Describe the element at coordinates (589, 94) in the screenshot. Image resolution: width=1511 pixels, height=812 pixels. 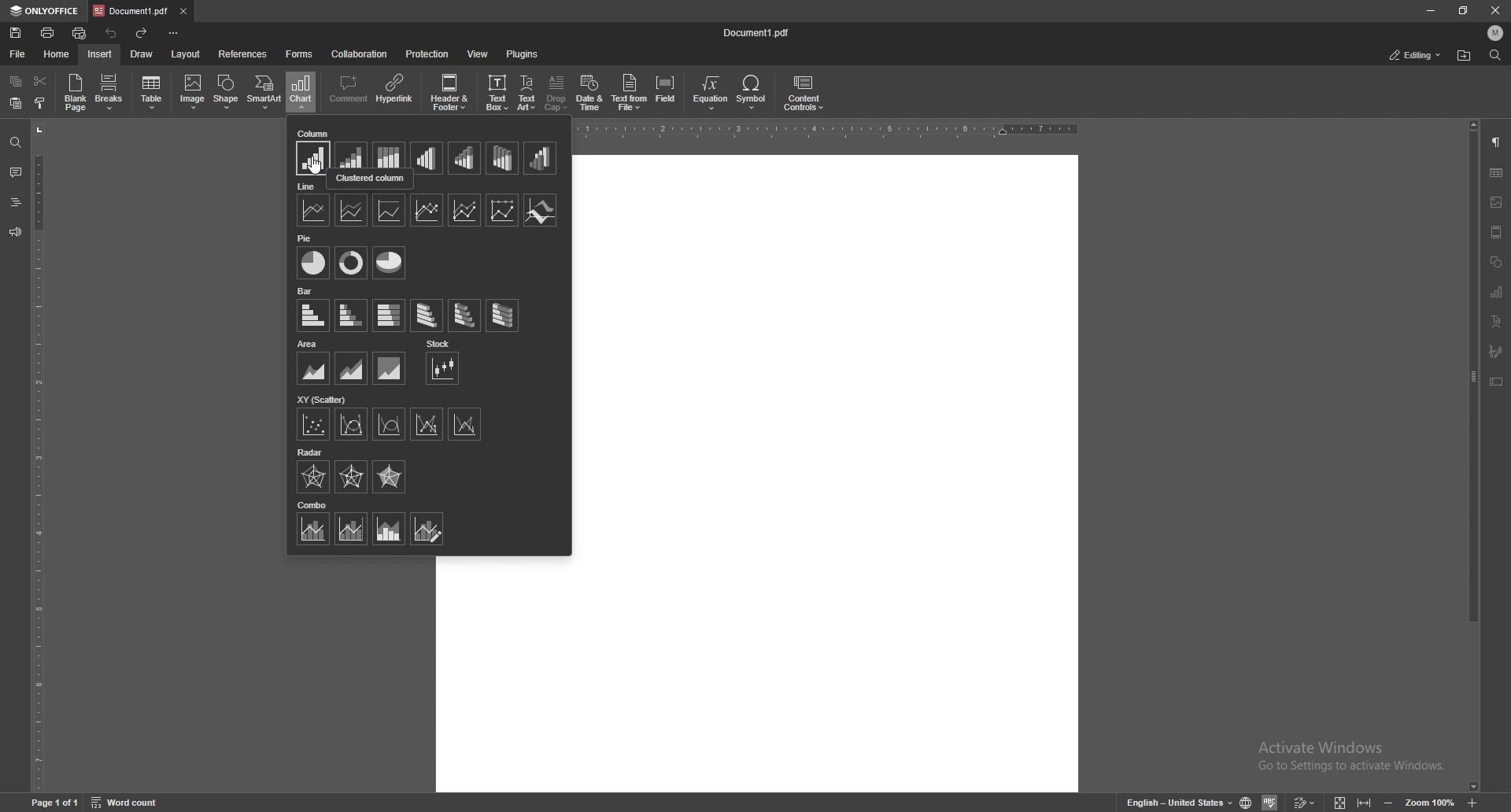
I see `date and time` at that location.